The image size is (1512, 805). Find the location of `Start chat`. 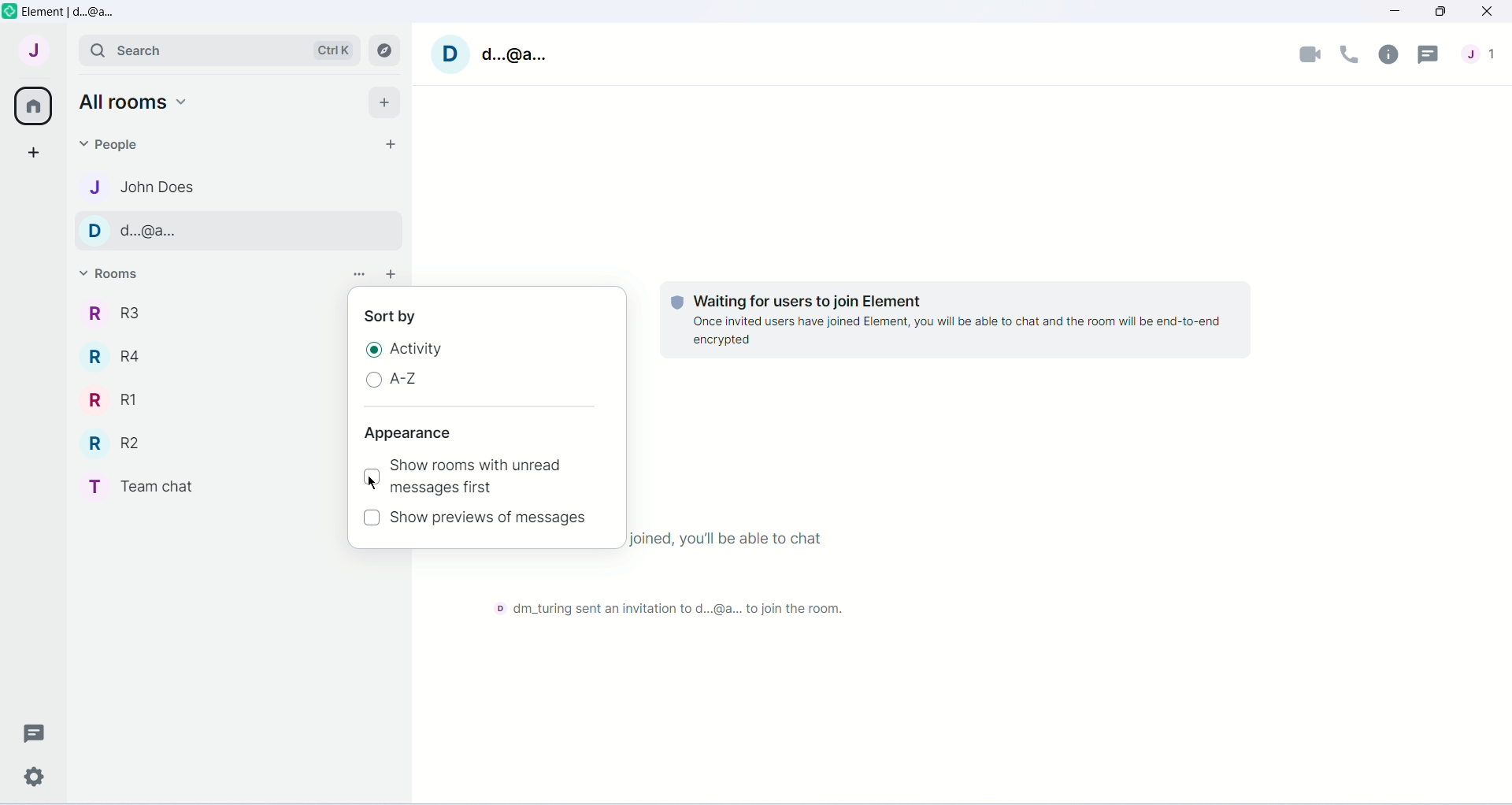

Start chat is located at coordinates (386, 144).